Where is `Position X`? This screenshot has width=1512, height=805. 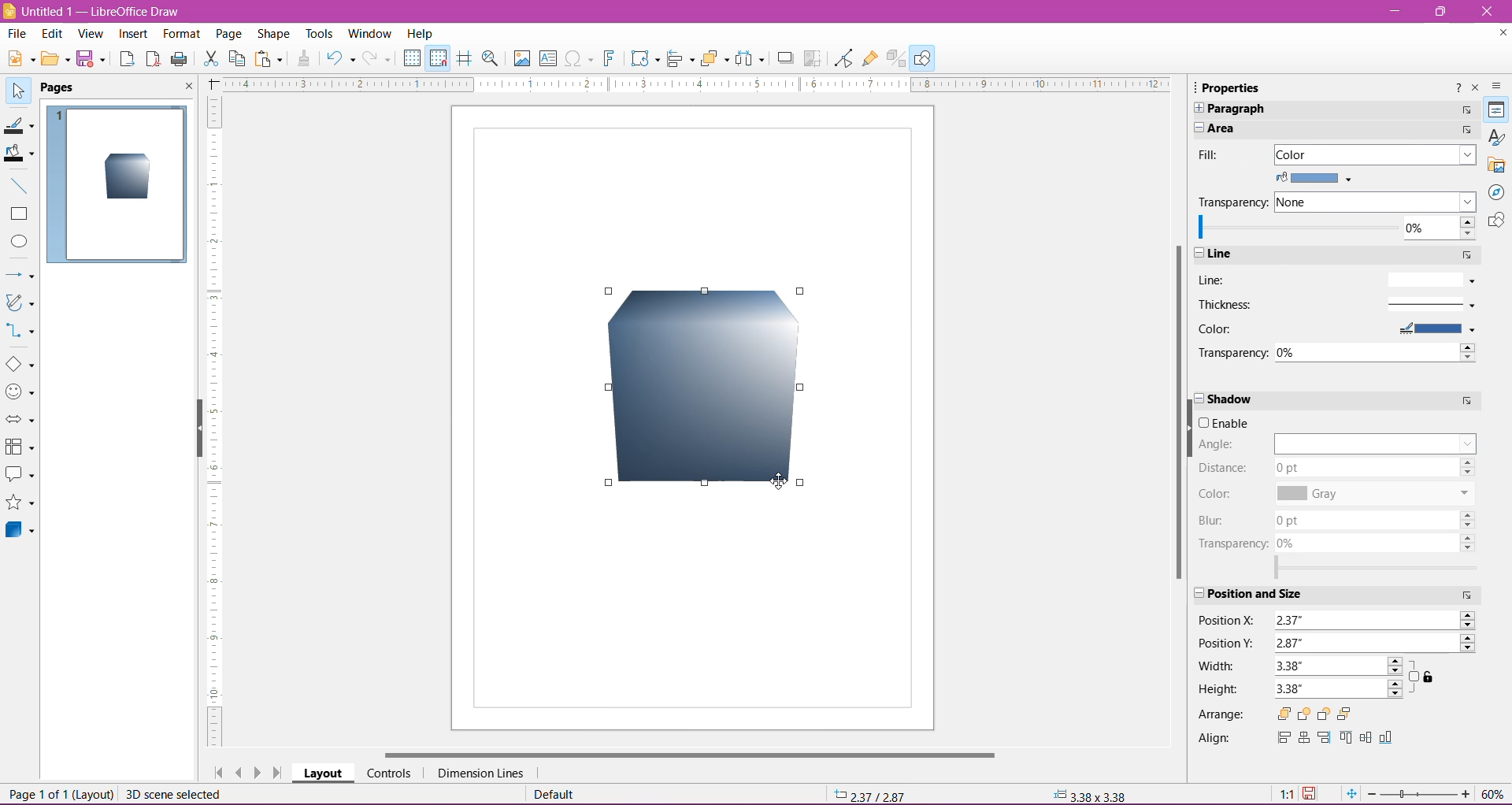
Position X is located at coordinates (1229, 619).